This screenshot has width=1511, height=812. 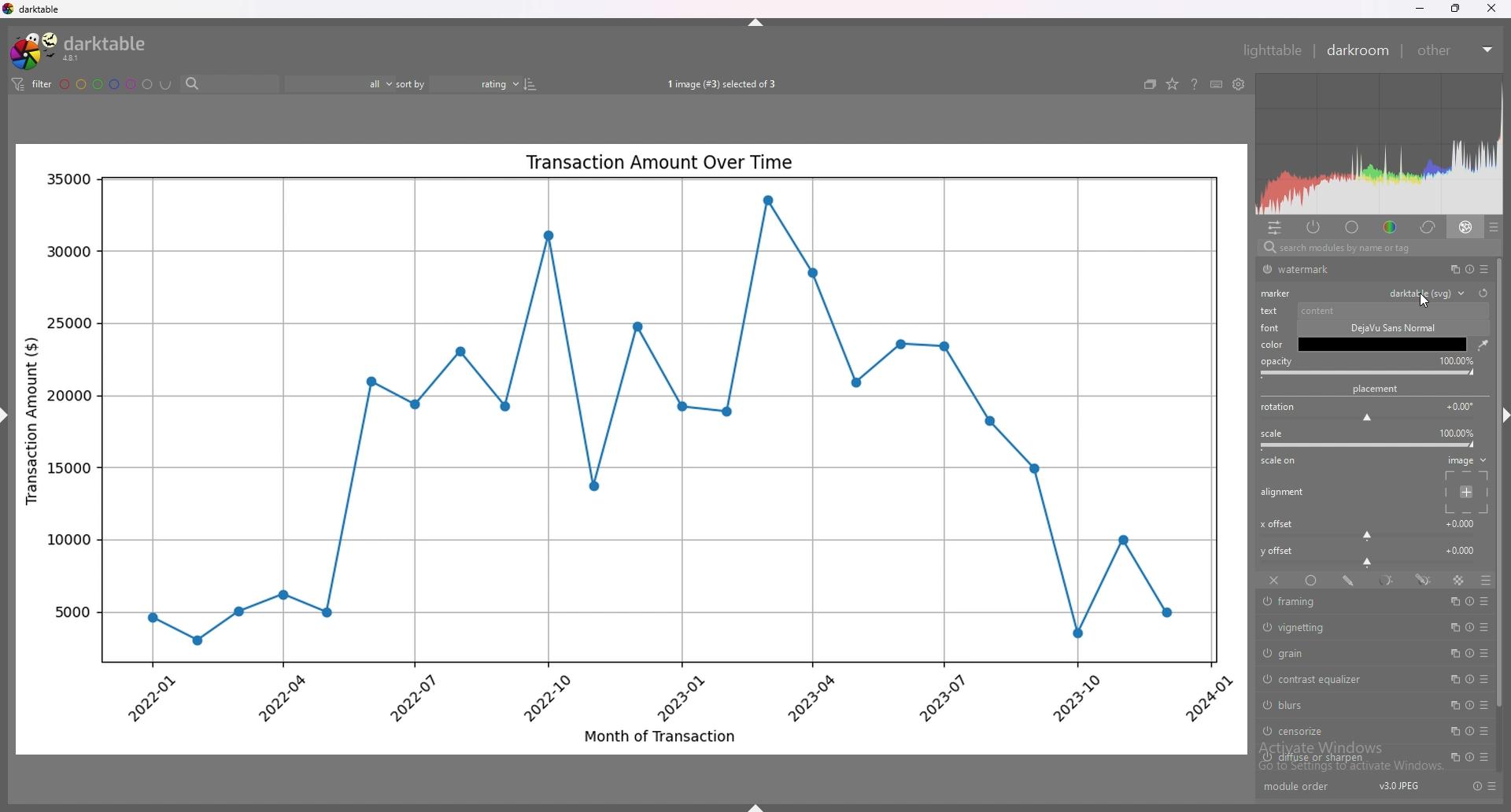 I want to click on keyboard shortcuts, so click(x=1216, y=84).